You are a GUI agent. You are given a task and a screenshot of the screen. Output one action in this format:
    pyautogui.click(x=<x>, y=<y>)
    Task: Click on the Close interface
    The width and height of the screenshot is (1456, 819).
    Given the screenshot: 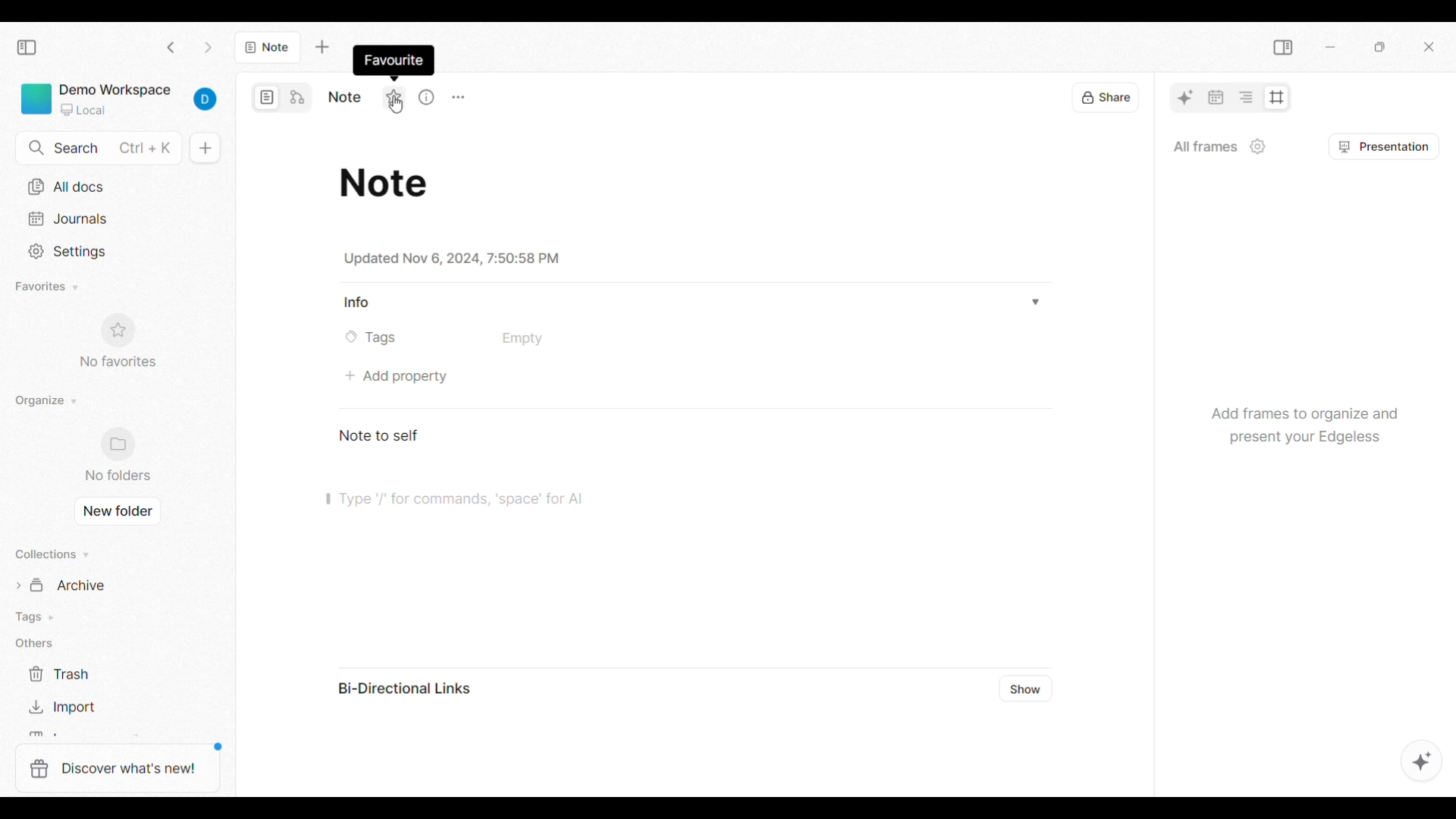 What is the action you would take?
    pyautogui.click(x=1429, y=47)
    